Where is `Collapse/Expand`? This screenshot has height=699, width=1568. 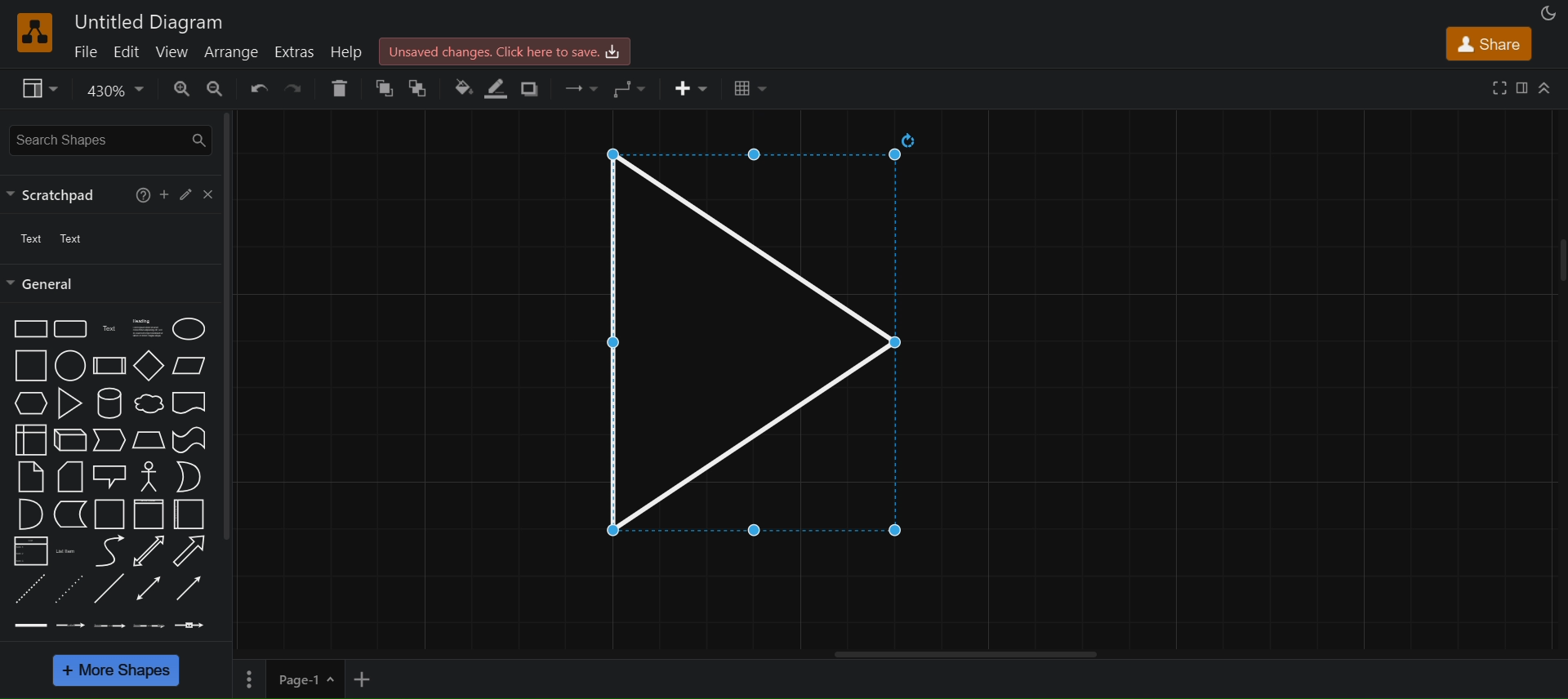
Collapse/Expand is located at coordinates (1545, 87).